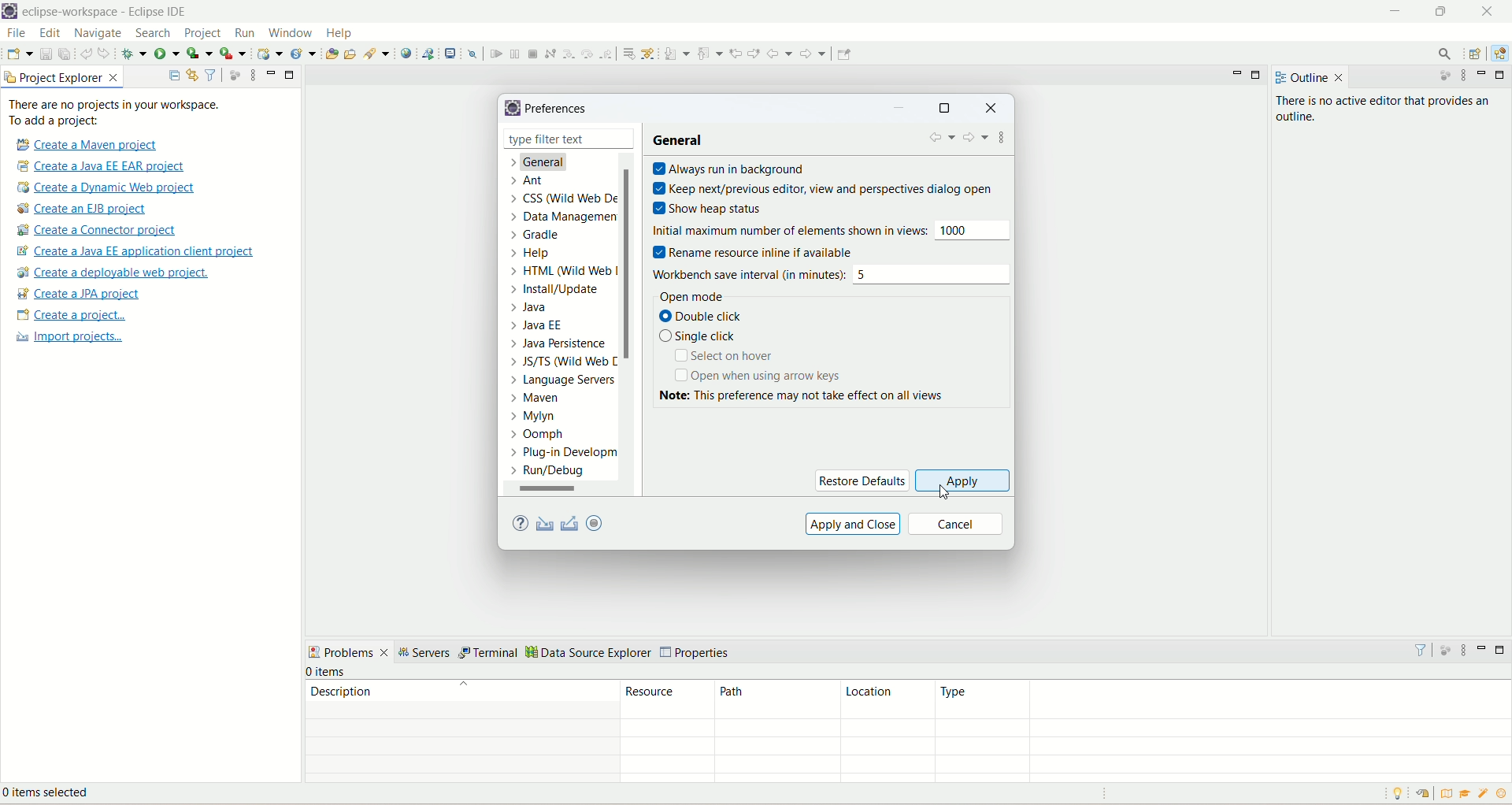 The image size is (1512, 805). Describe the element at coordinates (243, 32) in the screenshot. I see `run` at that location.